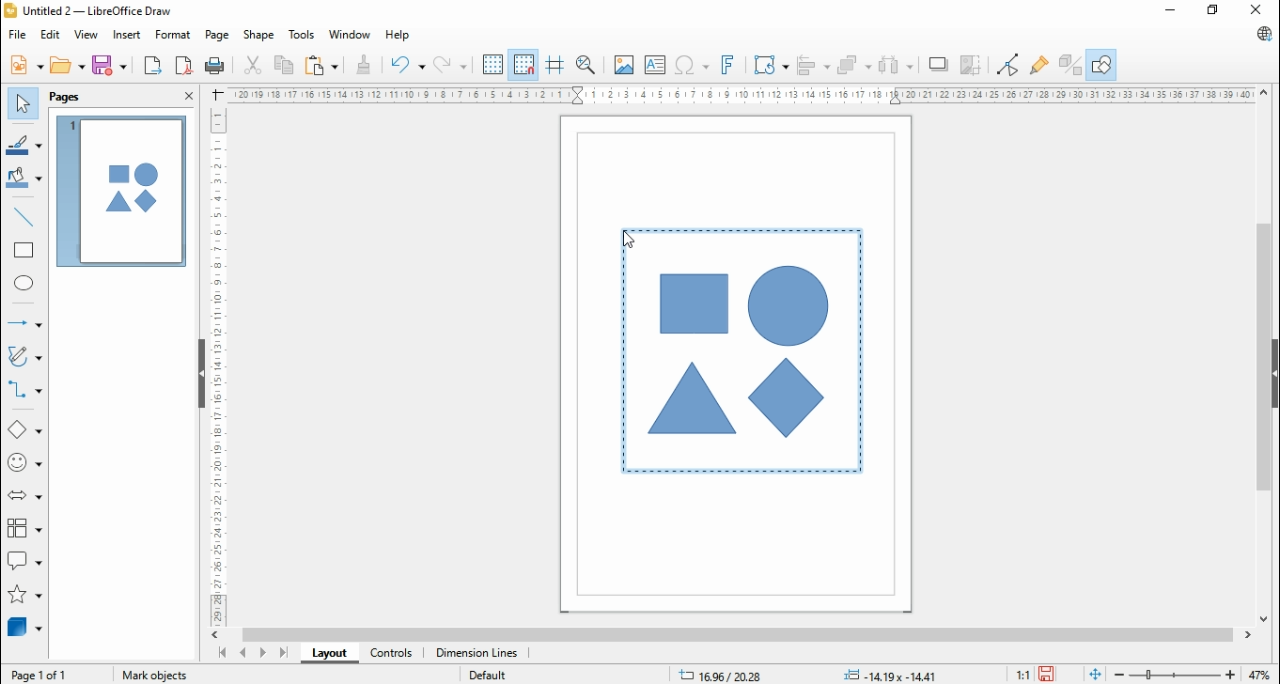  Describe the element at coordinates (215, 365) in the screenshot. I see `vertical scale` at that location.